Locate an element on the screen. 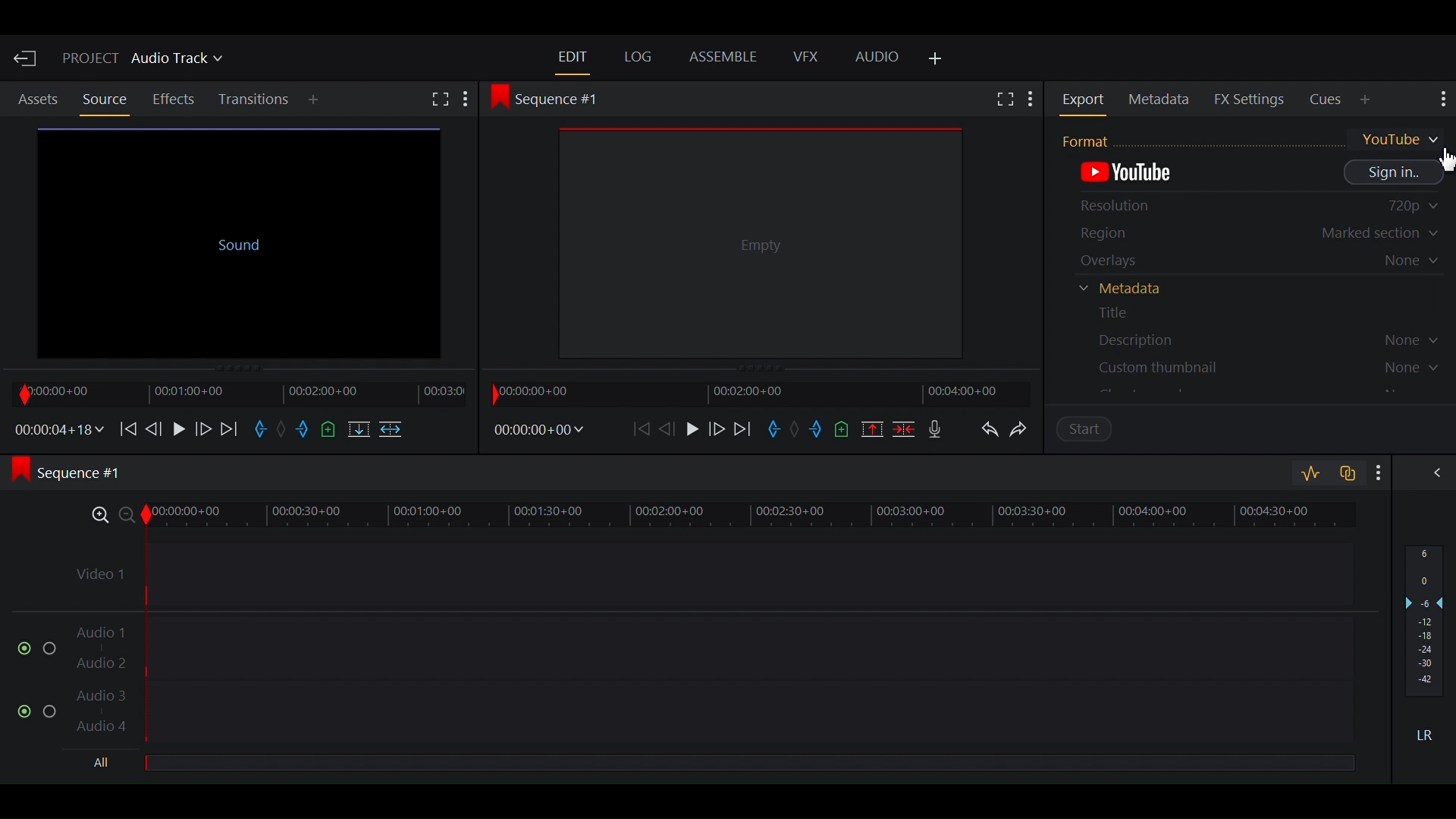  Overlays is located at coordinates (1257, 262).